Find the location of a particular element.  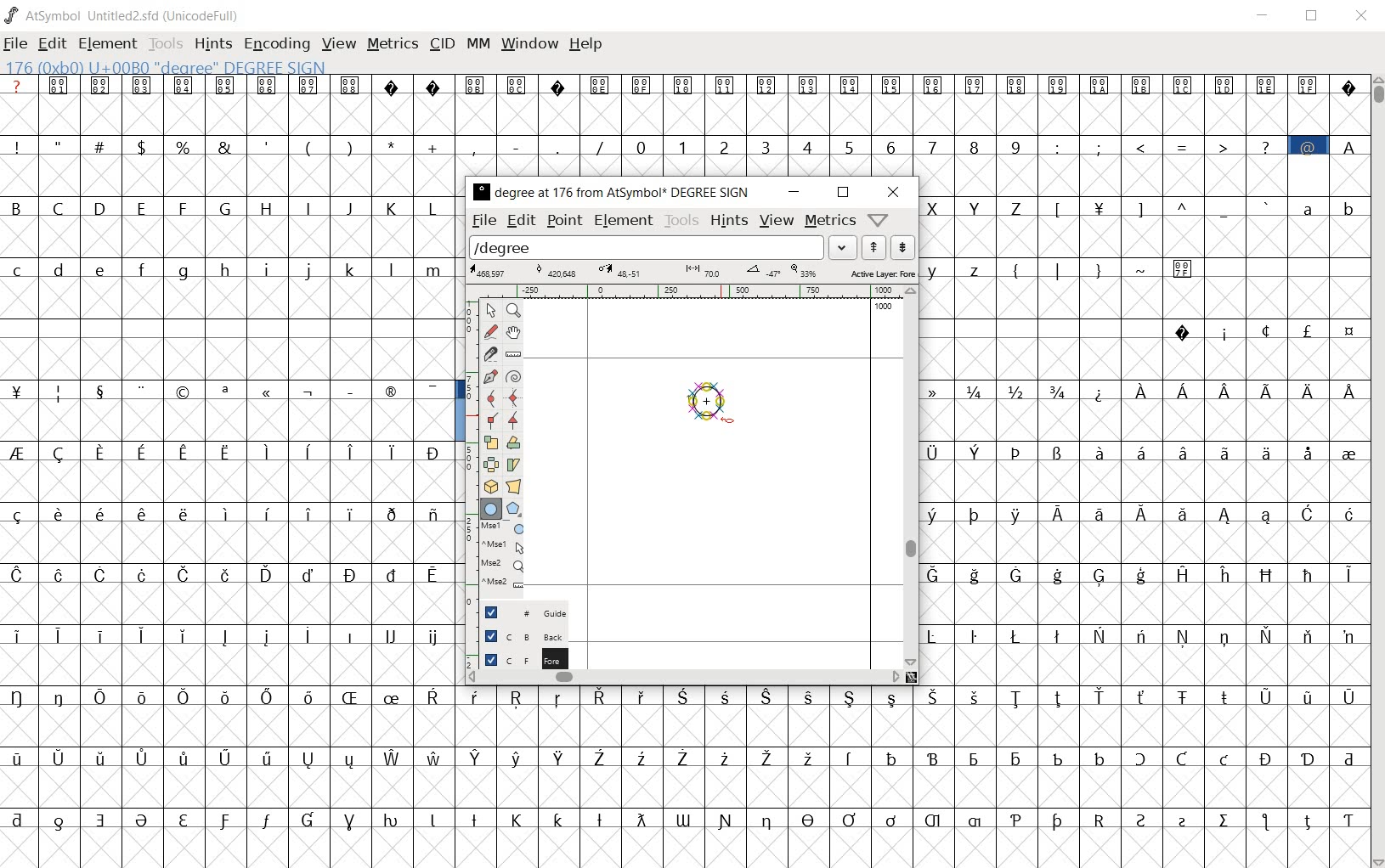

empty glyph slots is located at coordinates (232, 728).